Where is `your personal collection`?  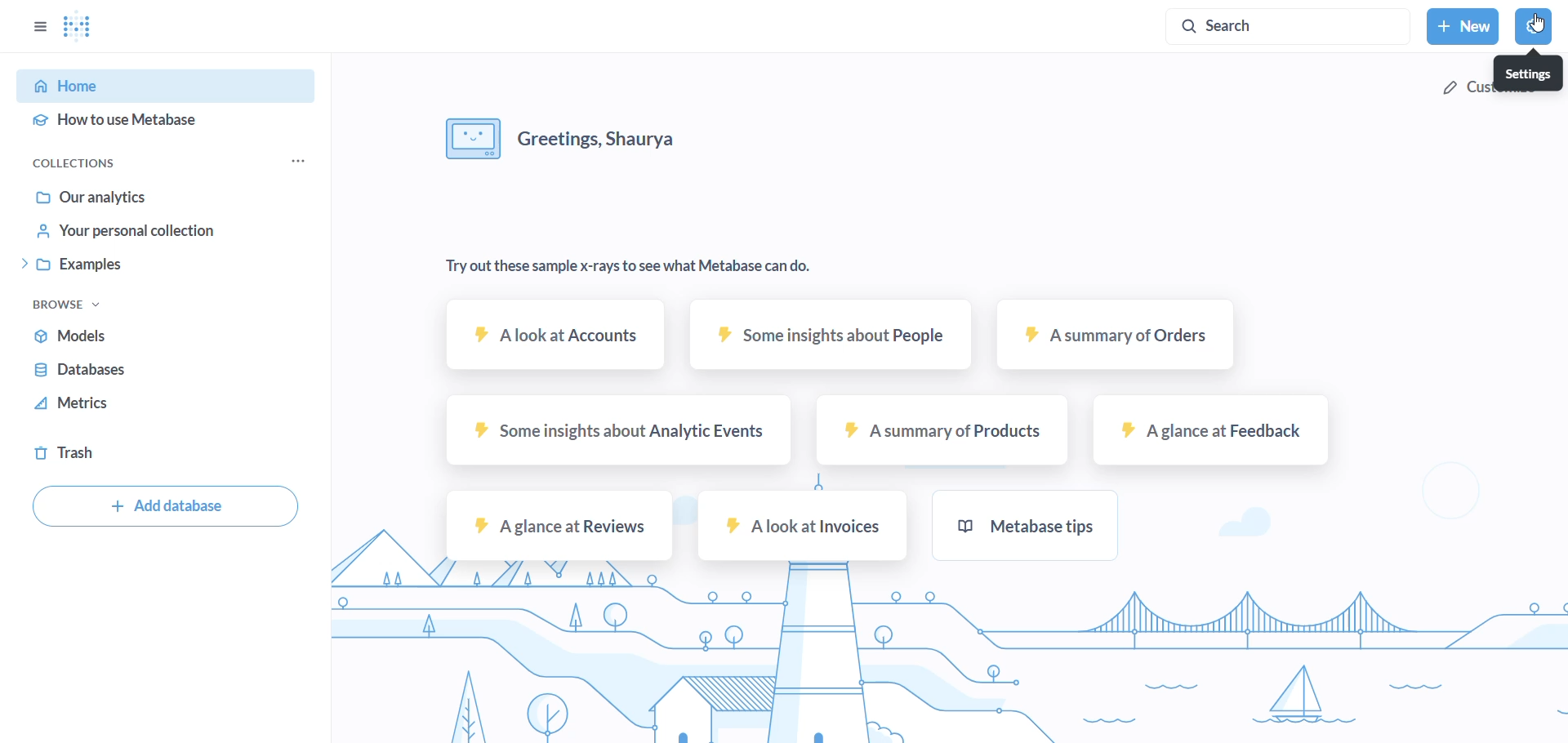 your personal collection is located at coordinates (131, 233).